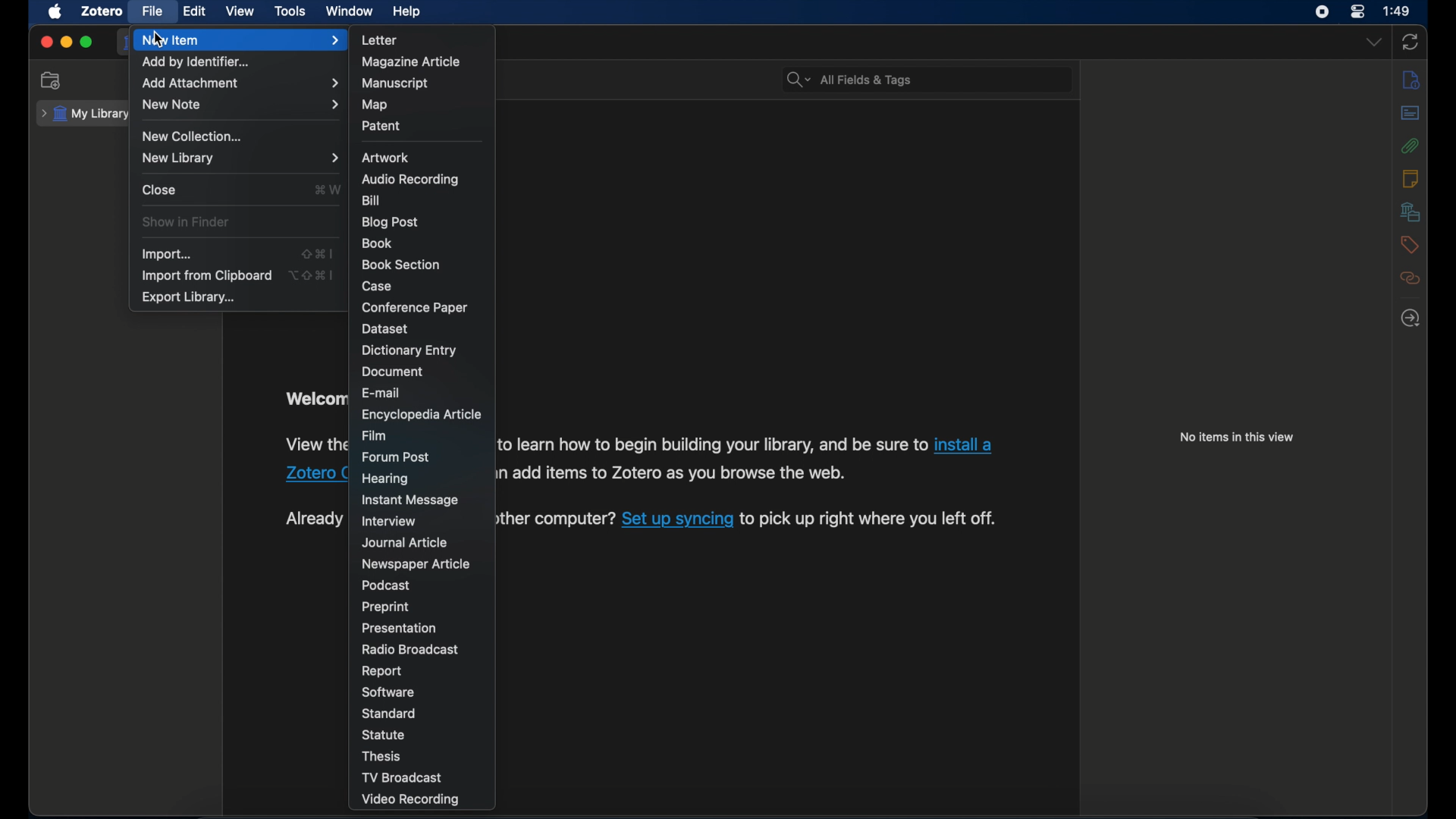 This screenshot has width=1456, height=819. I want to click on minimize, so click(65, 43).